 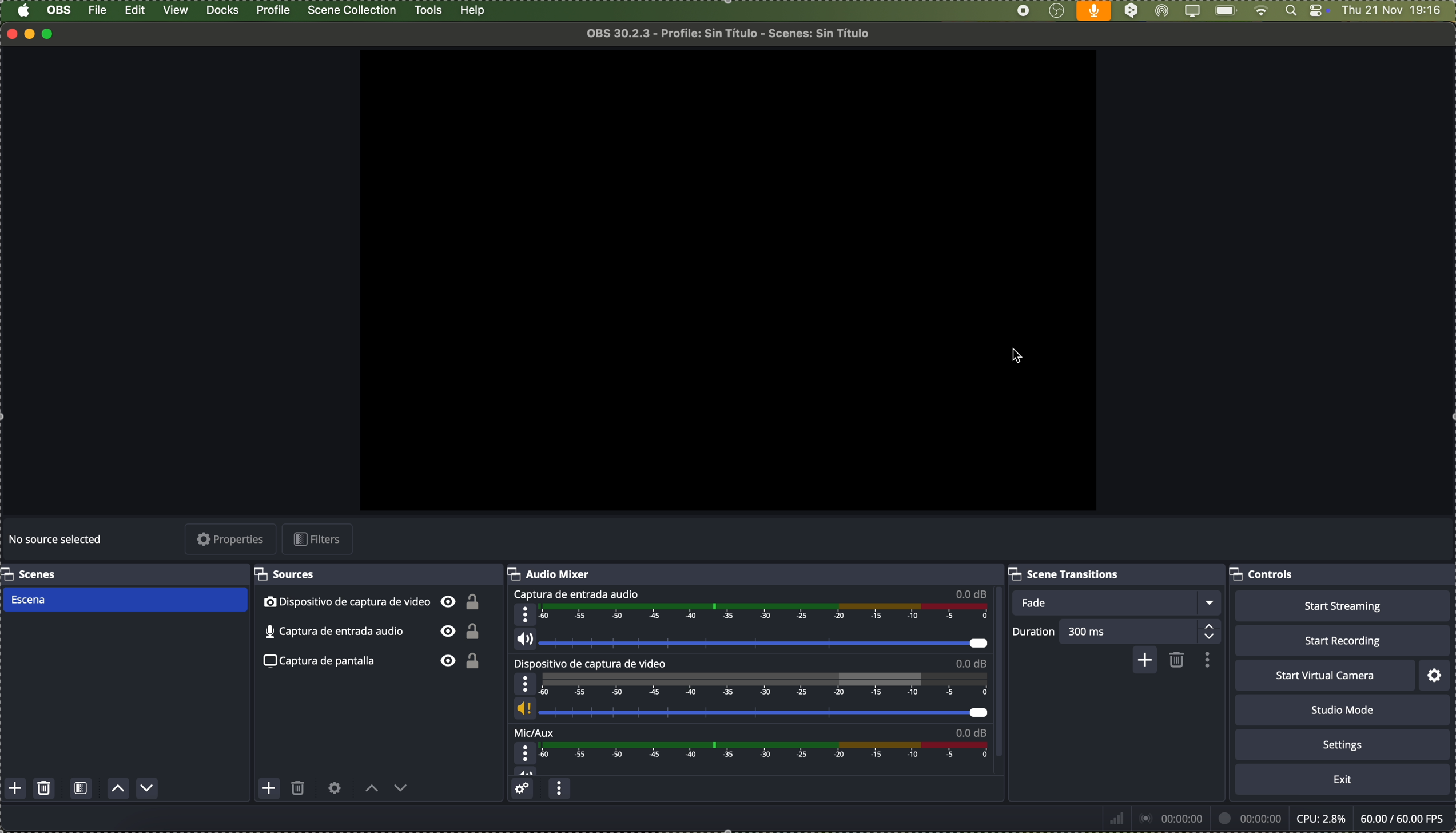 I want to click on move source up, so click(x=372, y=789).